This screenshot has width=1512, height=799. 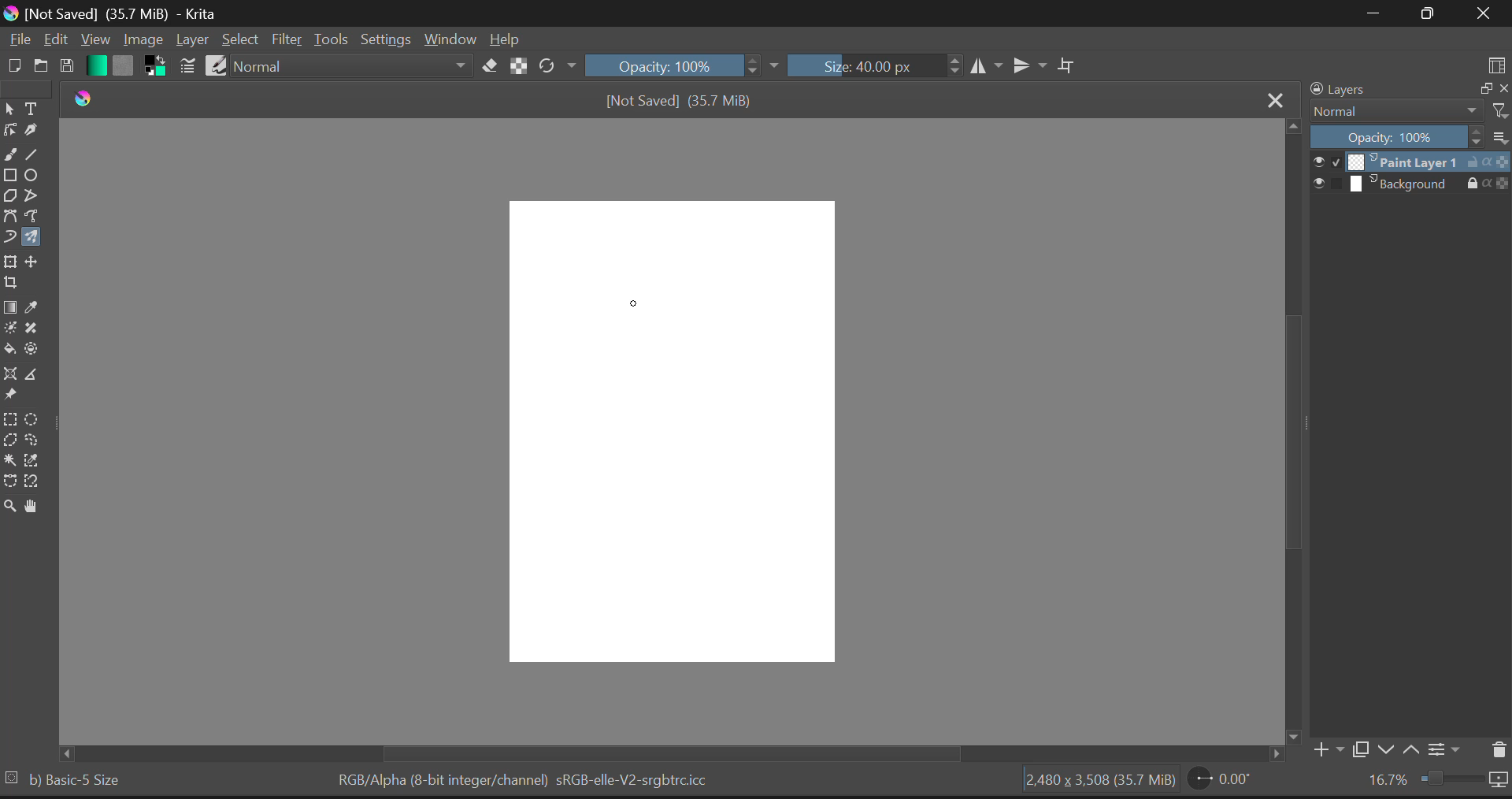 I want to click on Transform Layer, so click(x=9, y=262).